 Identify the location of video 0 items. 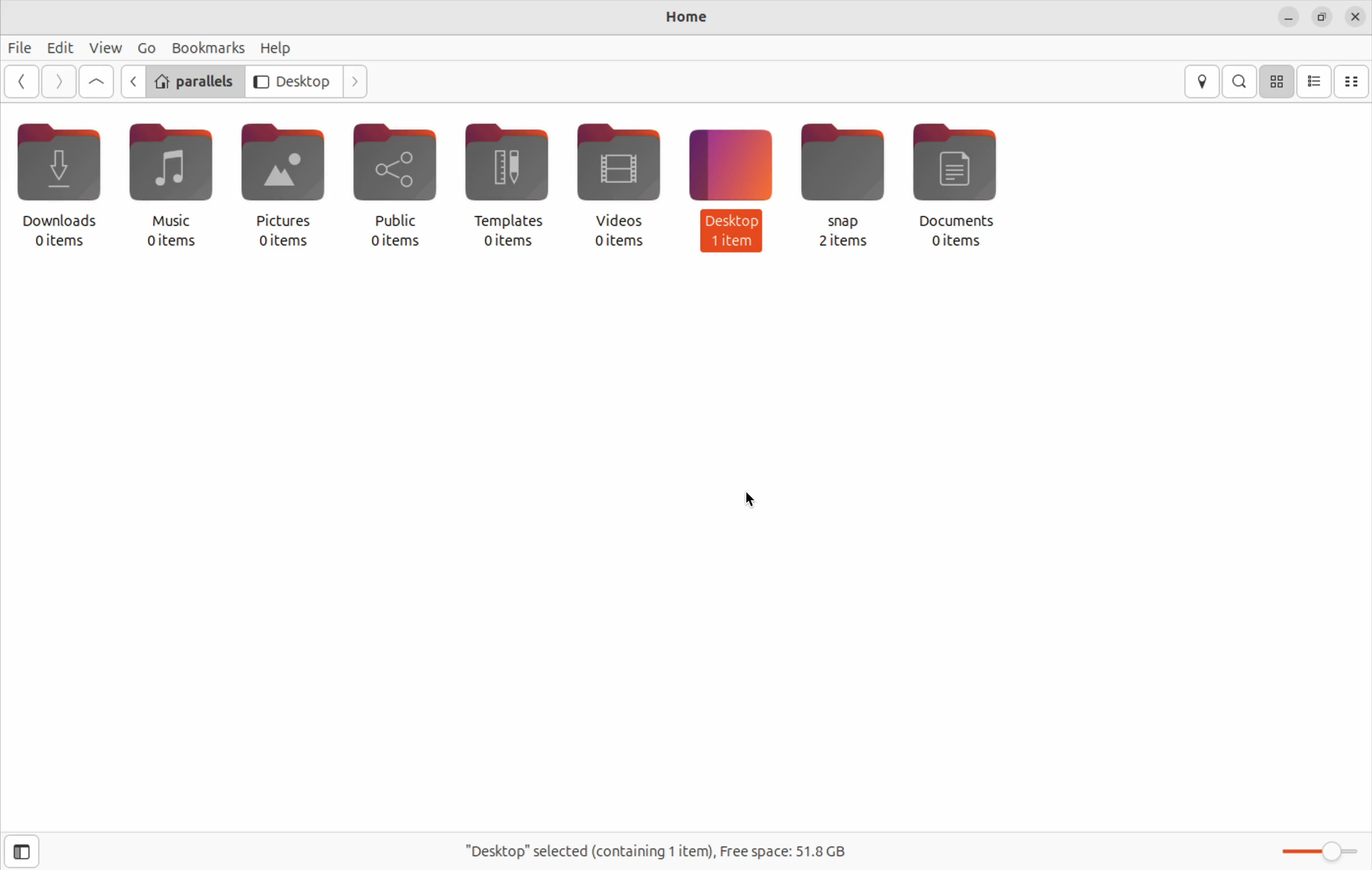
(624, 186).